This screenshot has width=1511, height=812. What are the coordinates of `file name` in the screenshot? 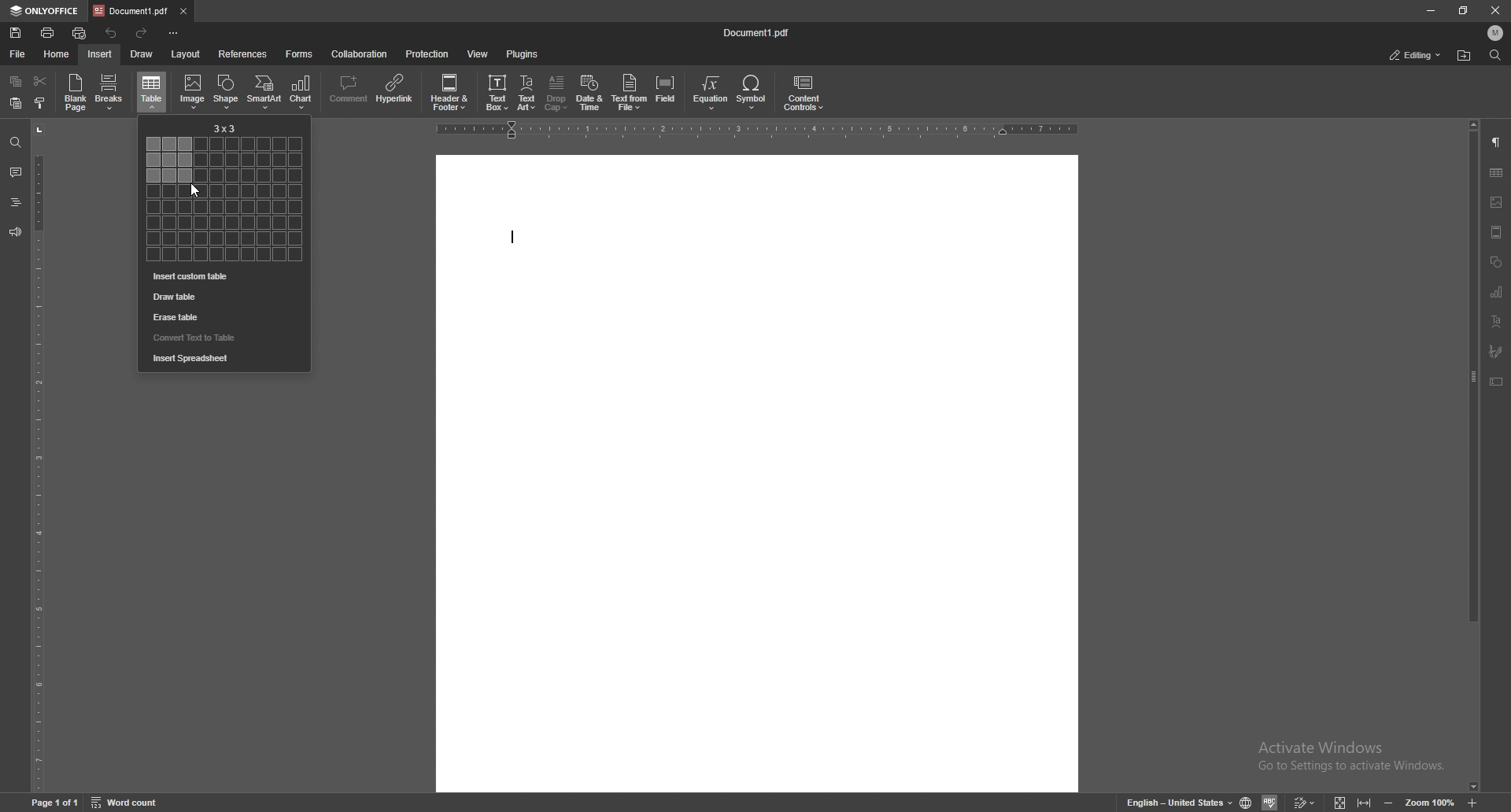 It's located at (758, 32).